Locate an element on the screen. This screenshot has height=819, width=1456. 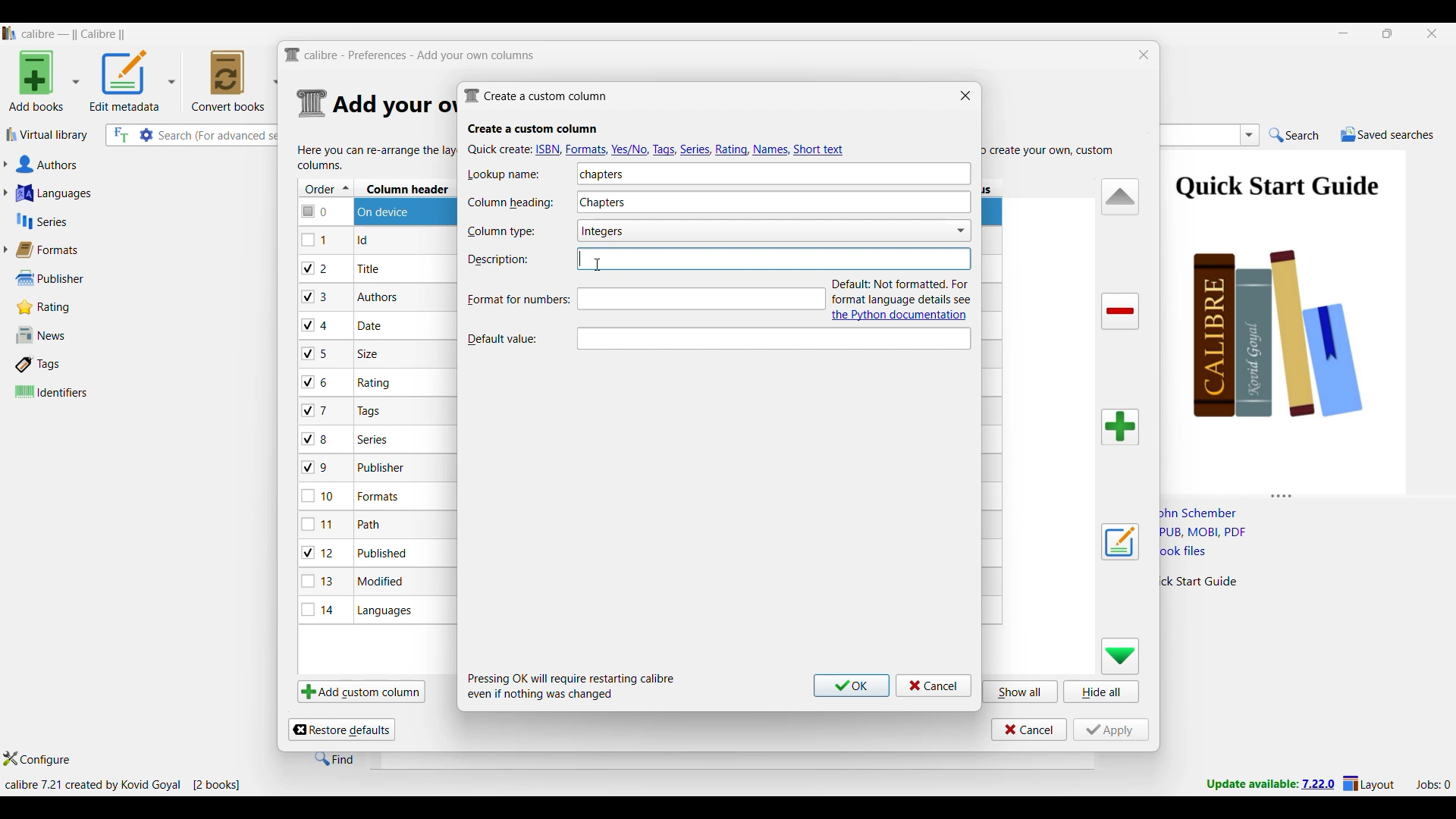
Order column, current sorting is located at coordinates (326, 188).